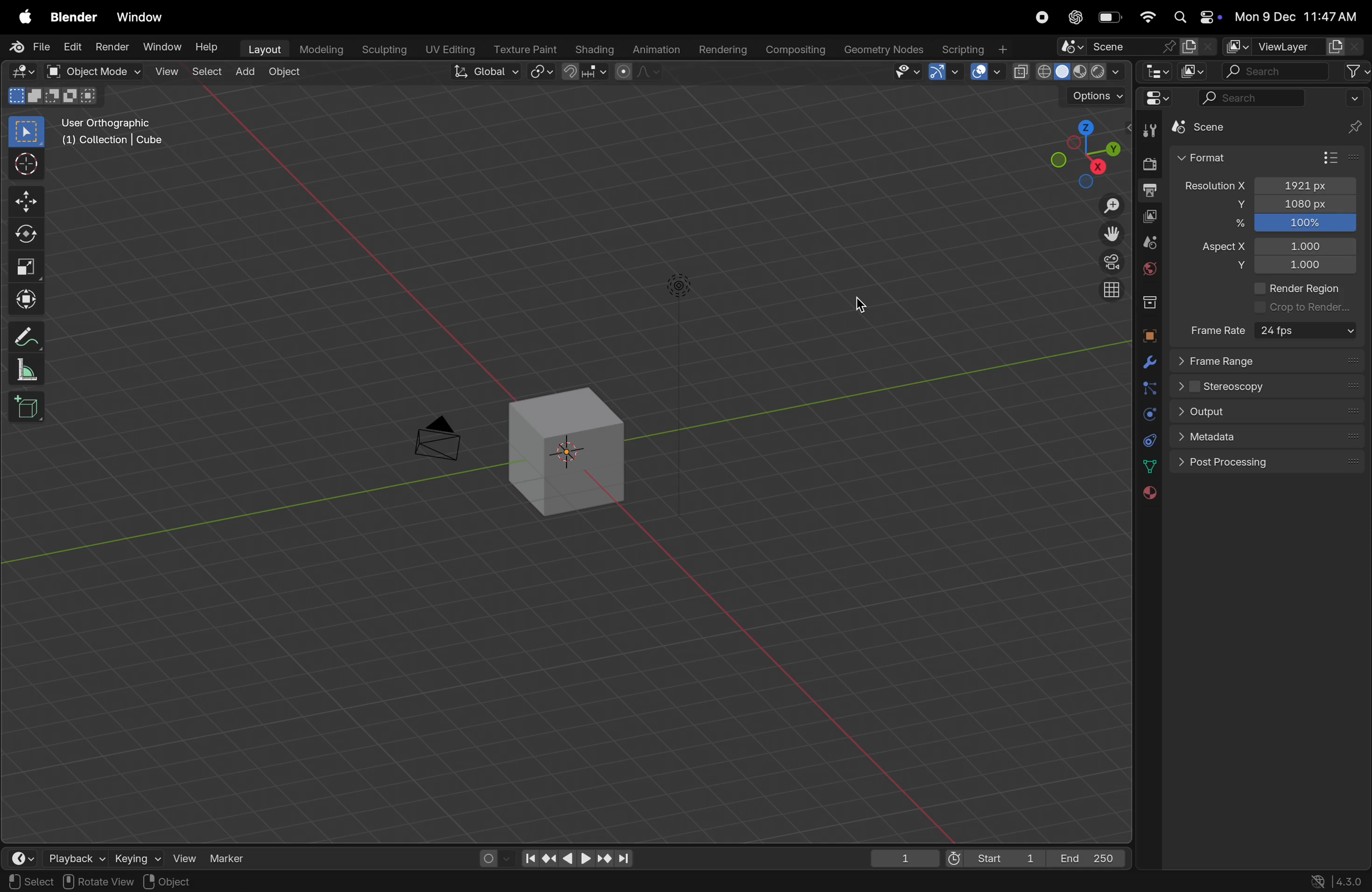 The image size is (1372, 892). What do you see at coordinates (1227, 157) in the screenshot?
I see `Format` at bounding box center [1227, 157].